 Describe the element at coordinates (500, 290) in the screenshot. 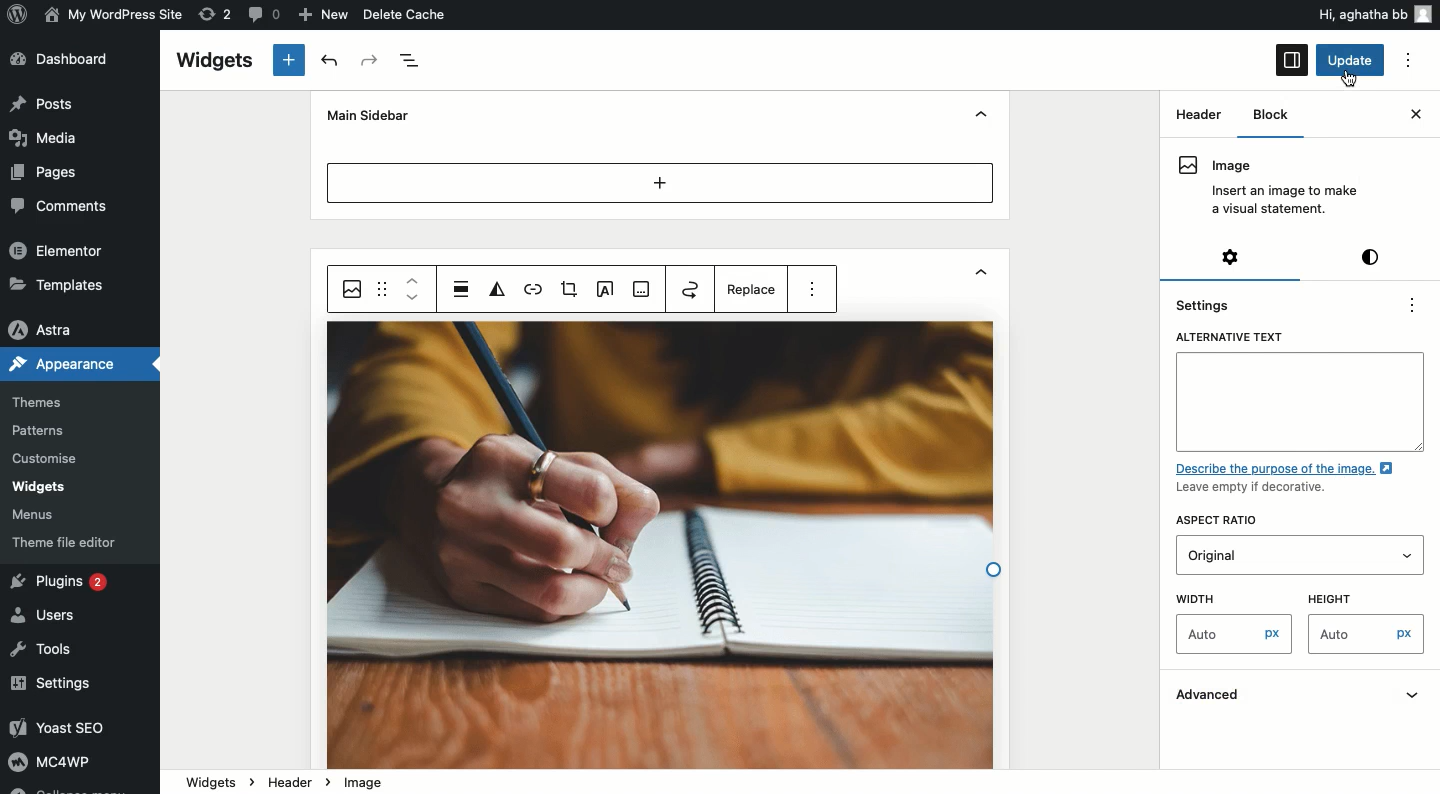

I see `Duotone` at that location.